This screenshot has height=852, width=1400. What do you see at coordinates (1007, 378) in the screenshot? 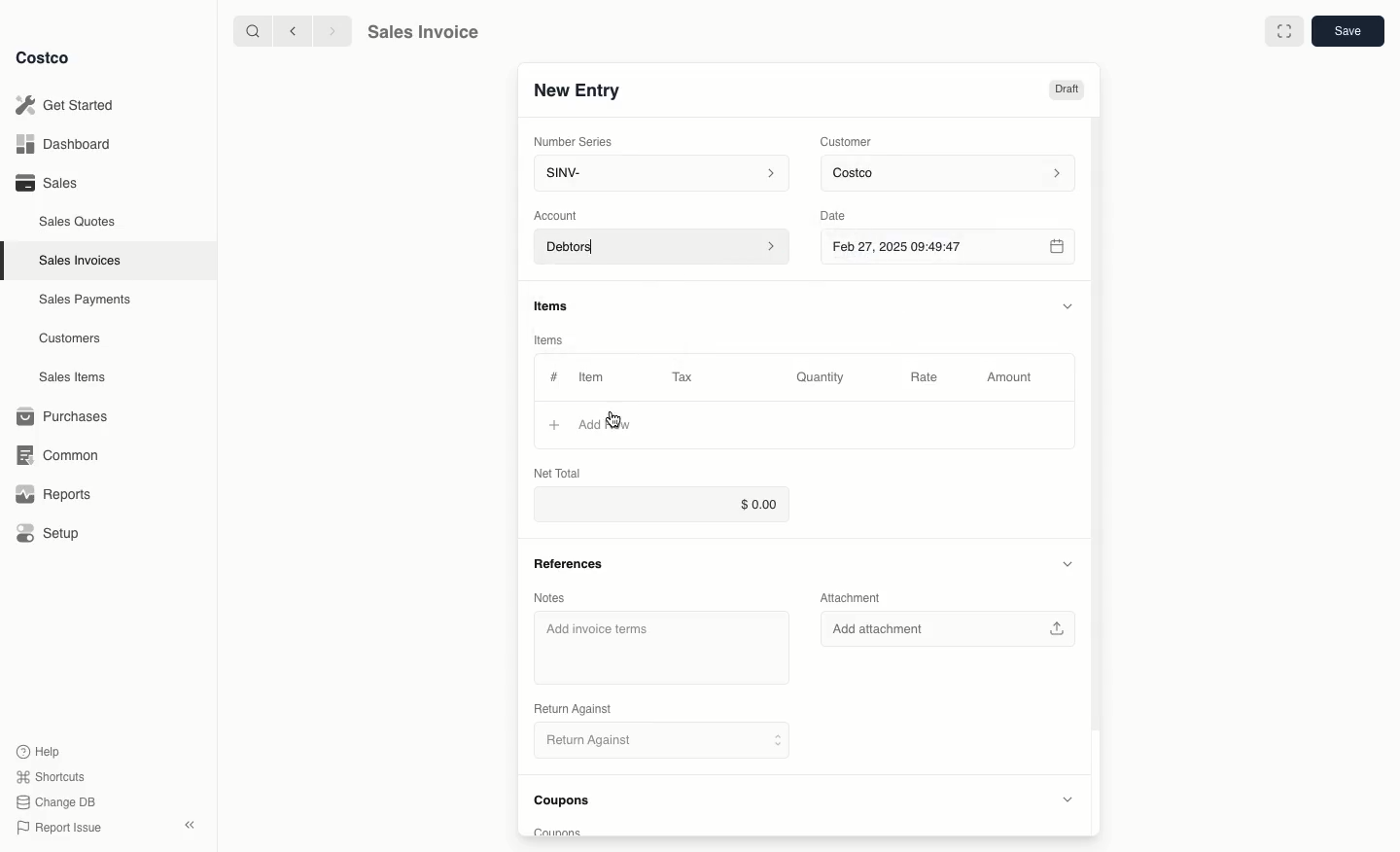
I see `Amount` at bounding box center [1007, 378].